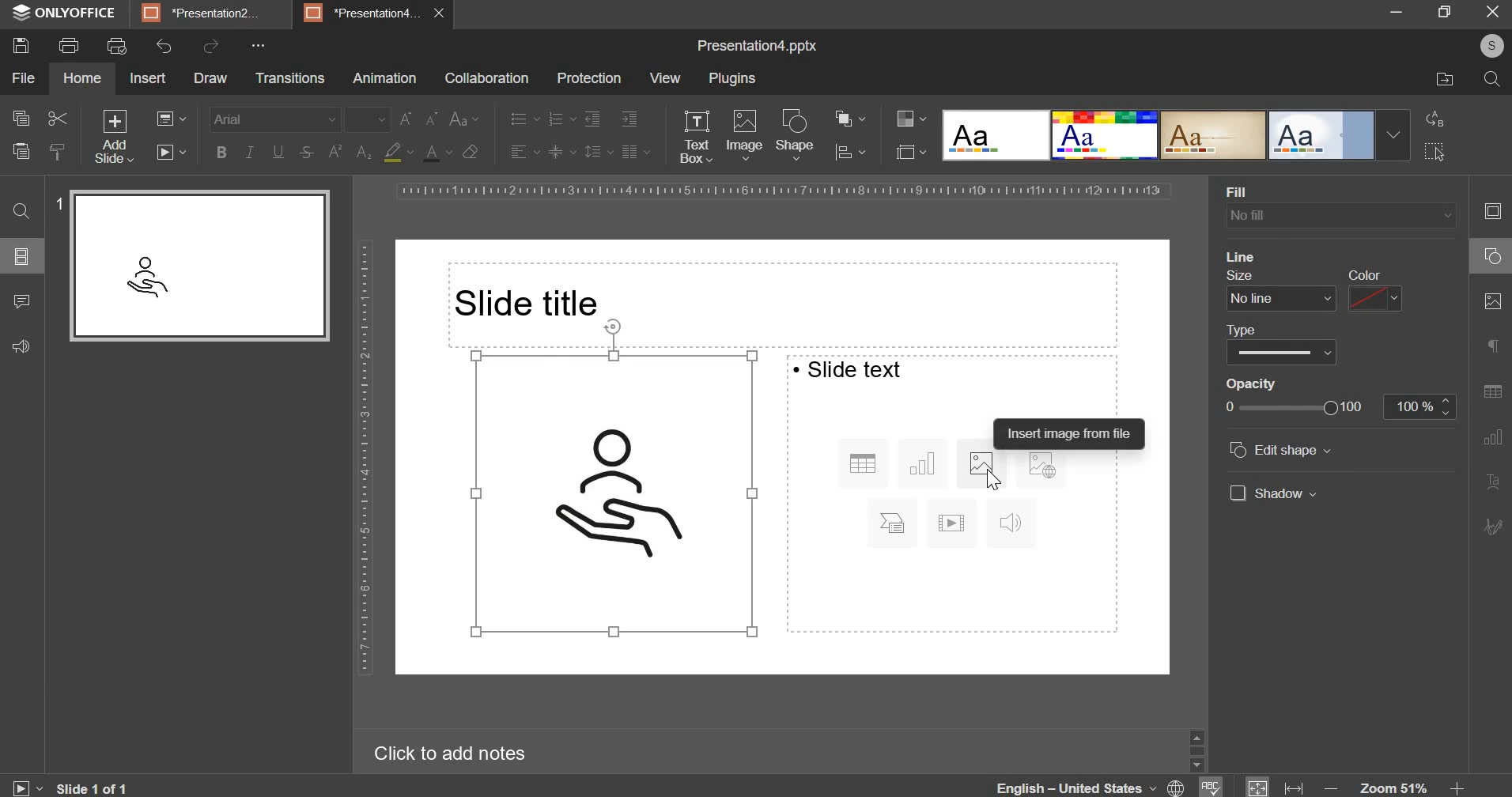  I want to click on decrease indent, so click(591, 120).